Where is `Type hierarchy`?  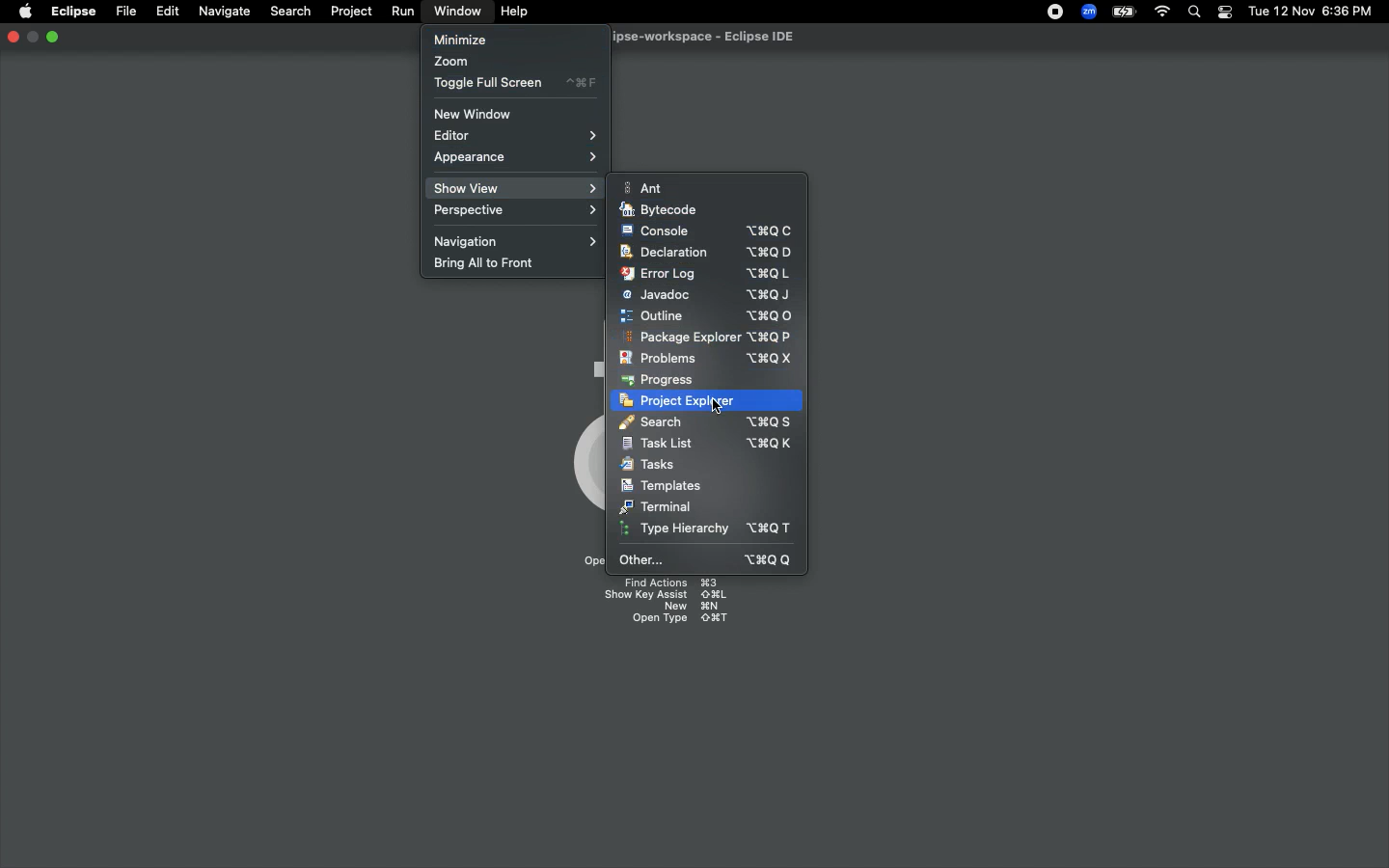
Type hierarchy is located at coordinates (711, 530).